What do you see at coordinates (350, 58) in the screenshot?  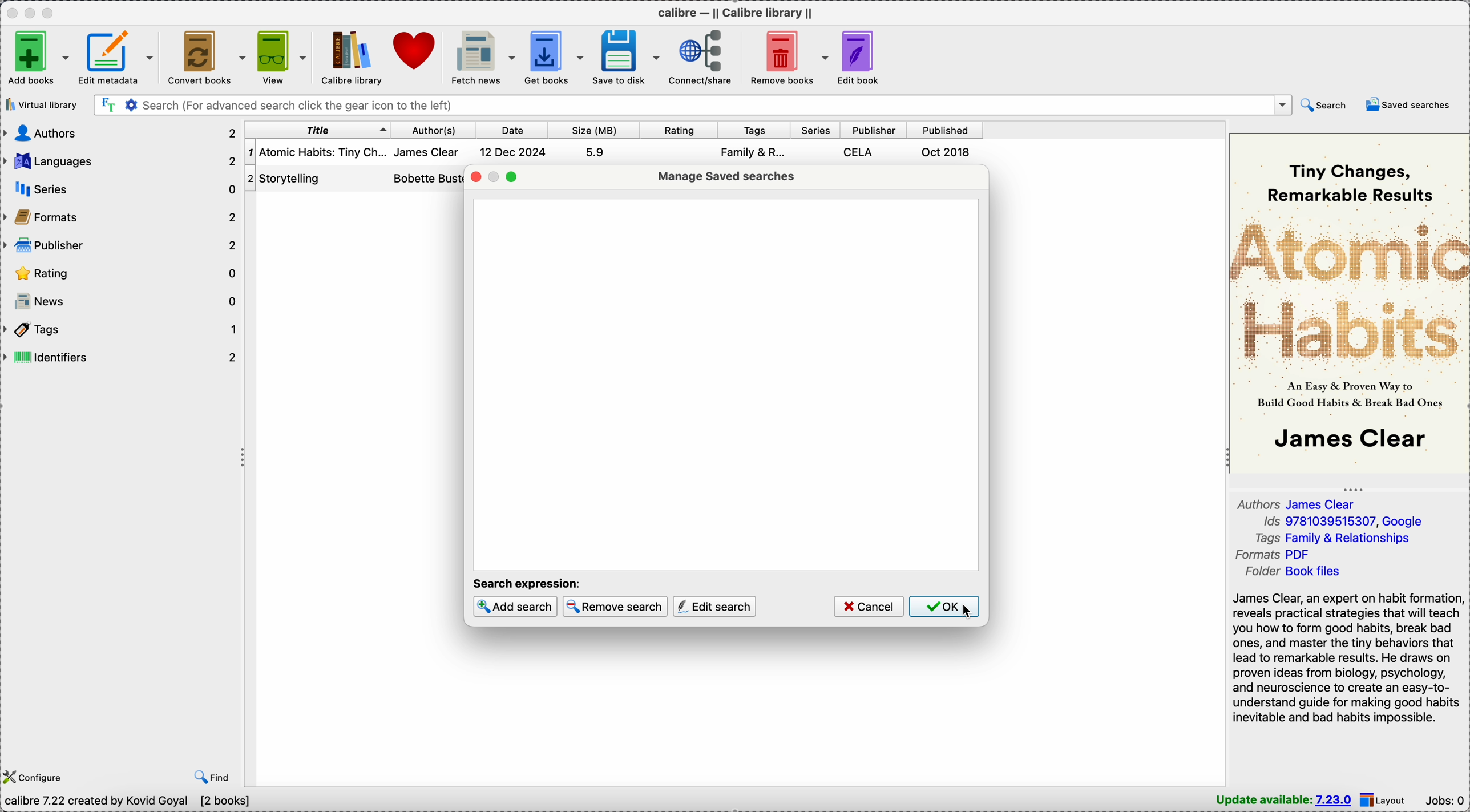 I see `Calibre library` at bounding box center [350, 58].